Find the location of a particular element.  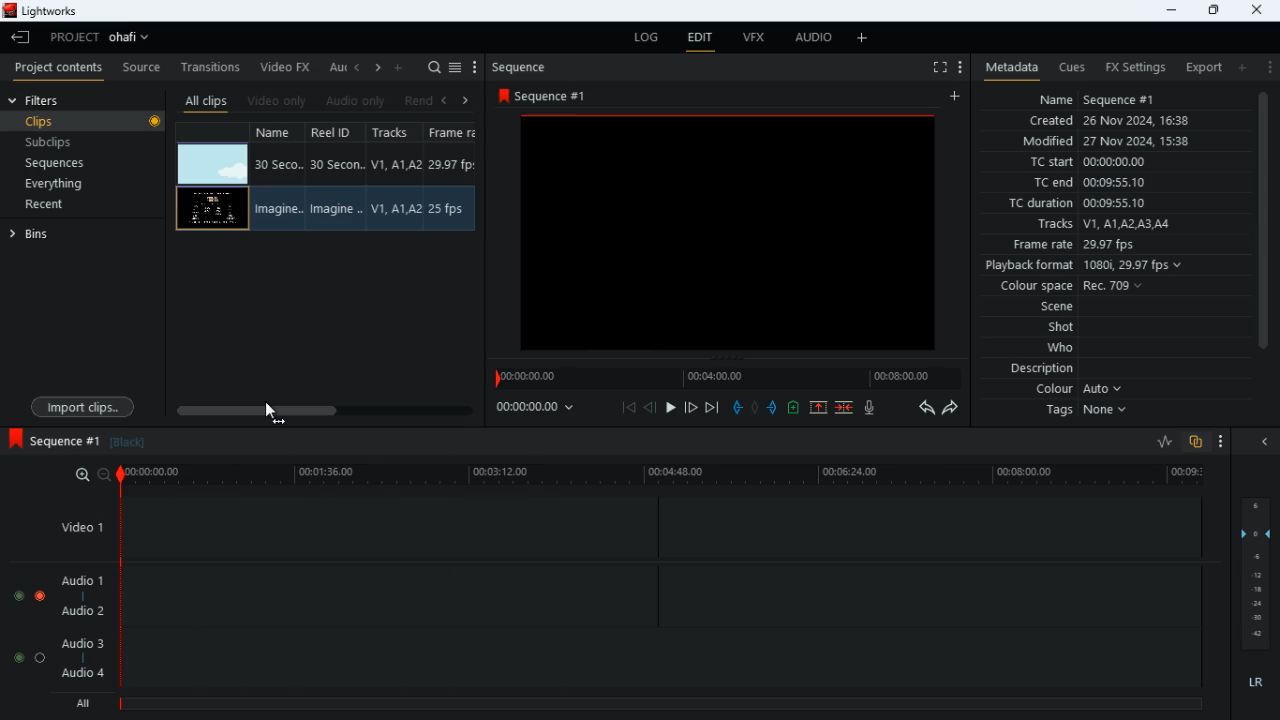

scroll is located at coordinates (1265, 233).